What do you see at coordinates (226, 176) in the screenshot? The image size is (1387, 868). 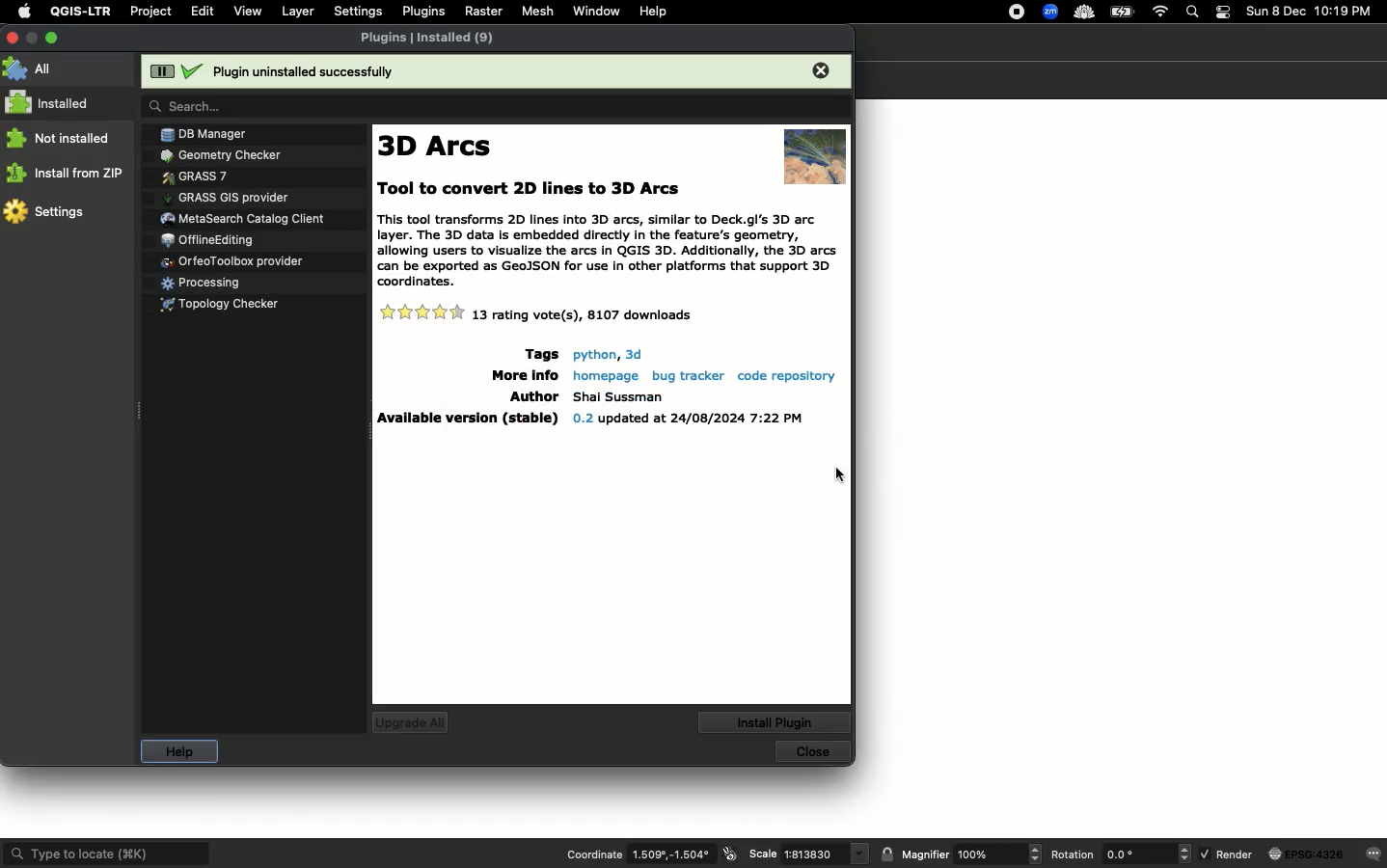 I see `Plugins` at bounding box center [226, 176].